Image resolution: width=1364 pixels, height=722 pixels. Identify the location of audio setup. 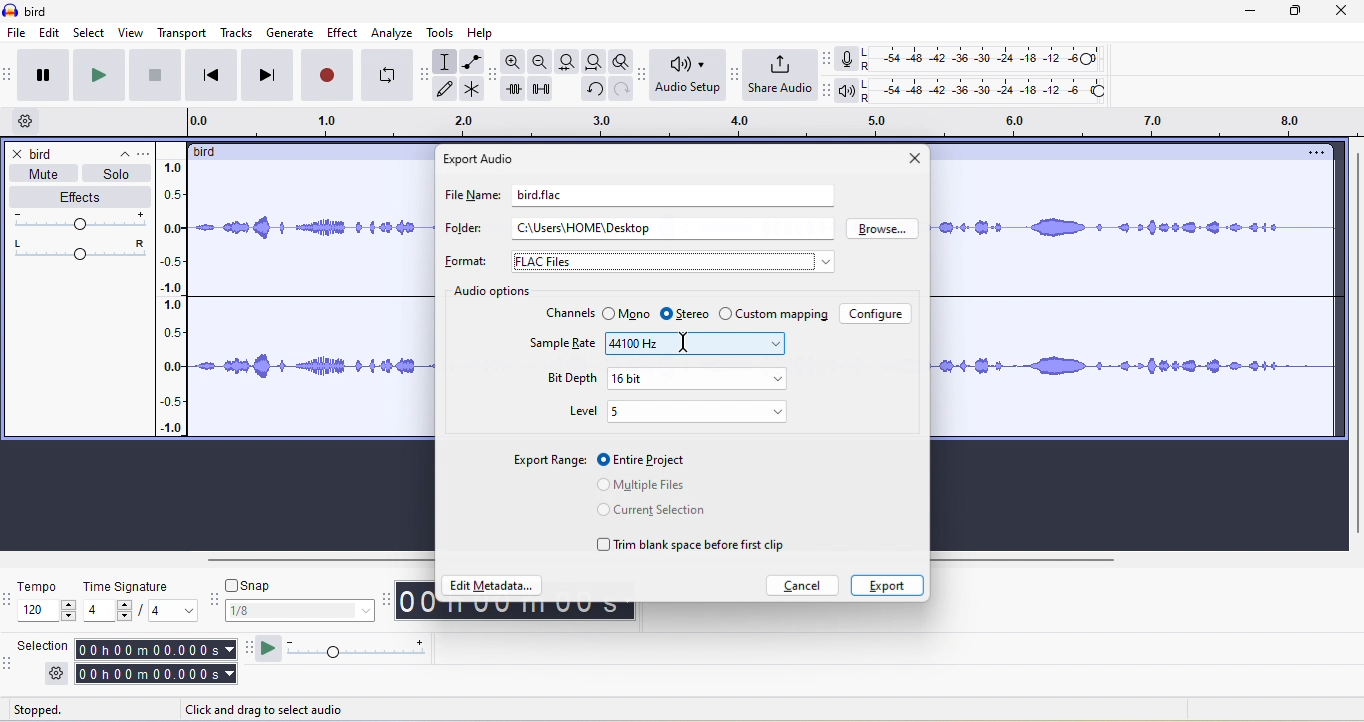
(684, 76).